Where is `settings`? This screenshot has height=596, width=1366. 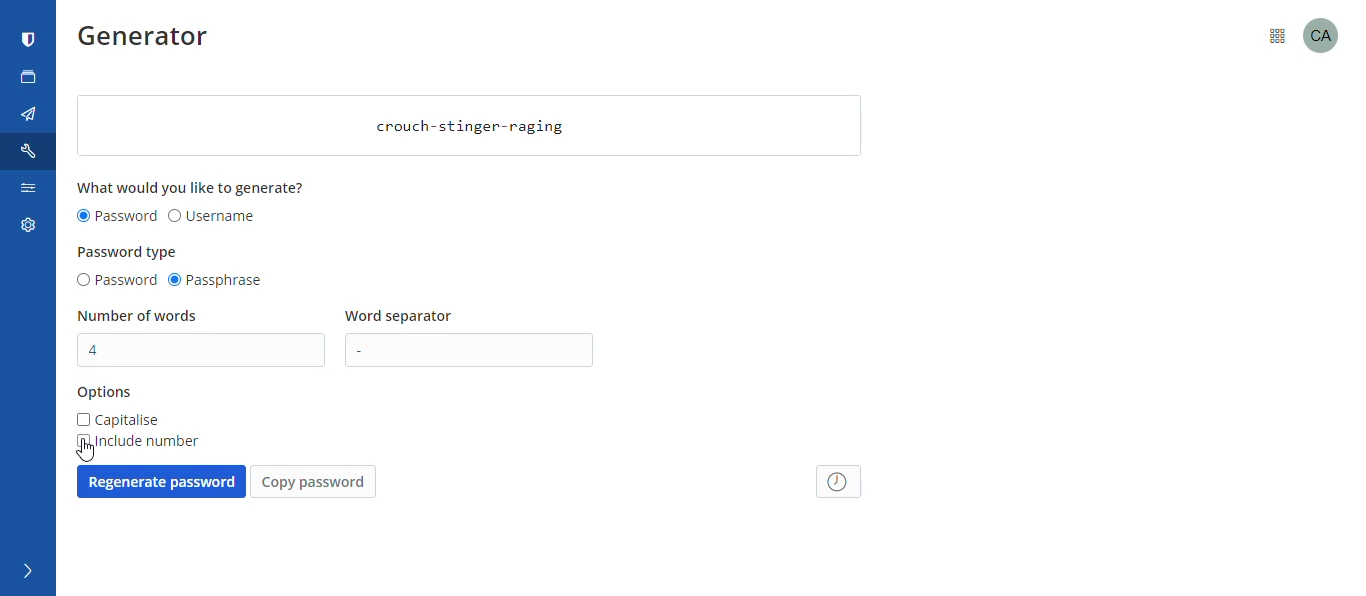
settings is located at coordinates (25, 229).